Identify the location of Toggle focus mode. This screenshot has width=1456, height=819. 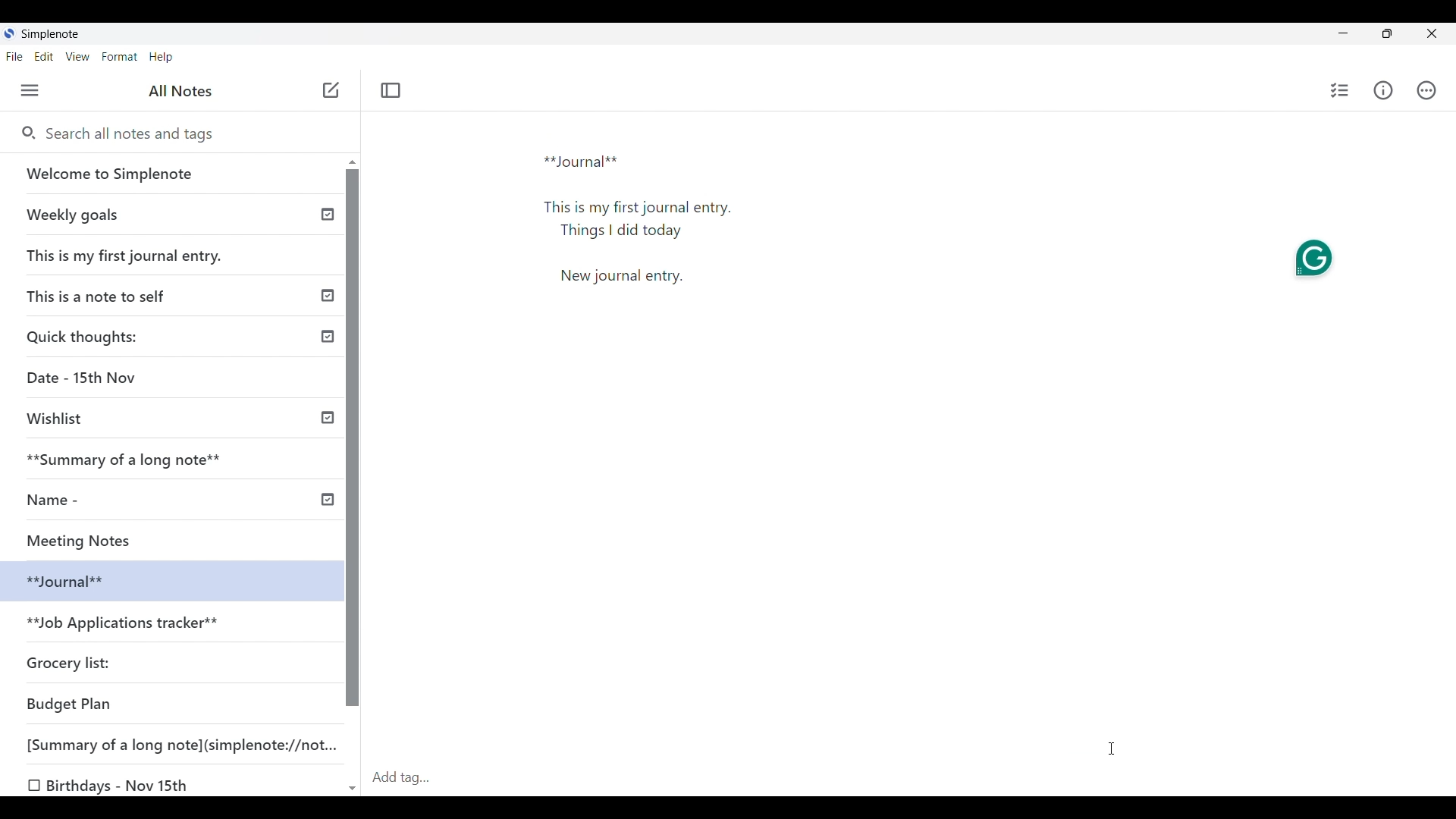
(391, 90).